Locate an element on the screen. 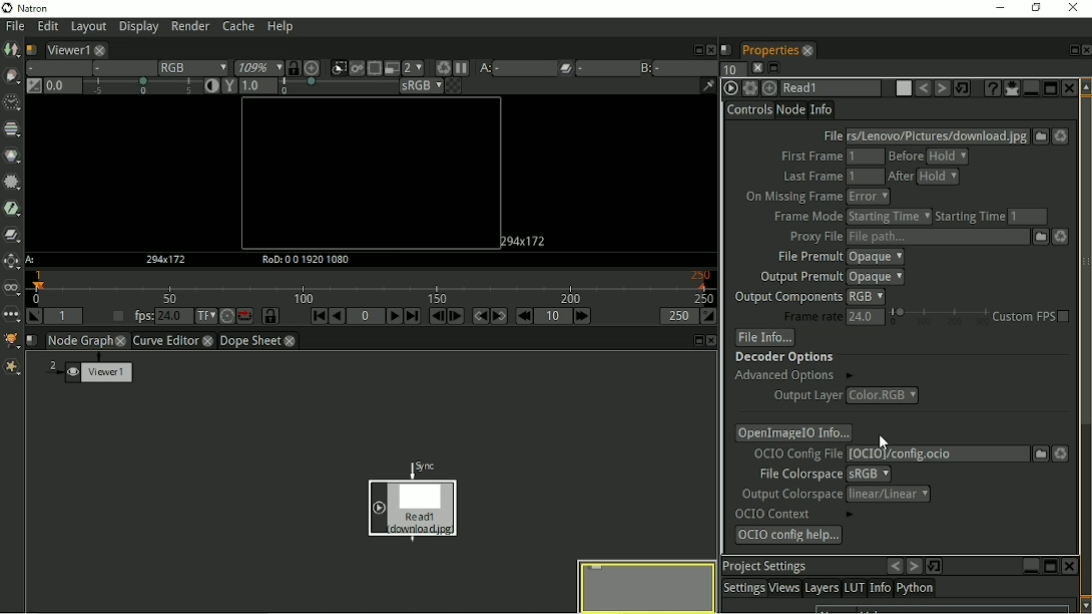 Image resolution: width=1092 pixels, height=614 pixels. Help is located at coordinates (279, 28).